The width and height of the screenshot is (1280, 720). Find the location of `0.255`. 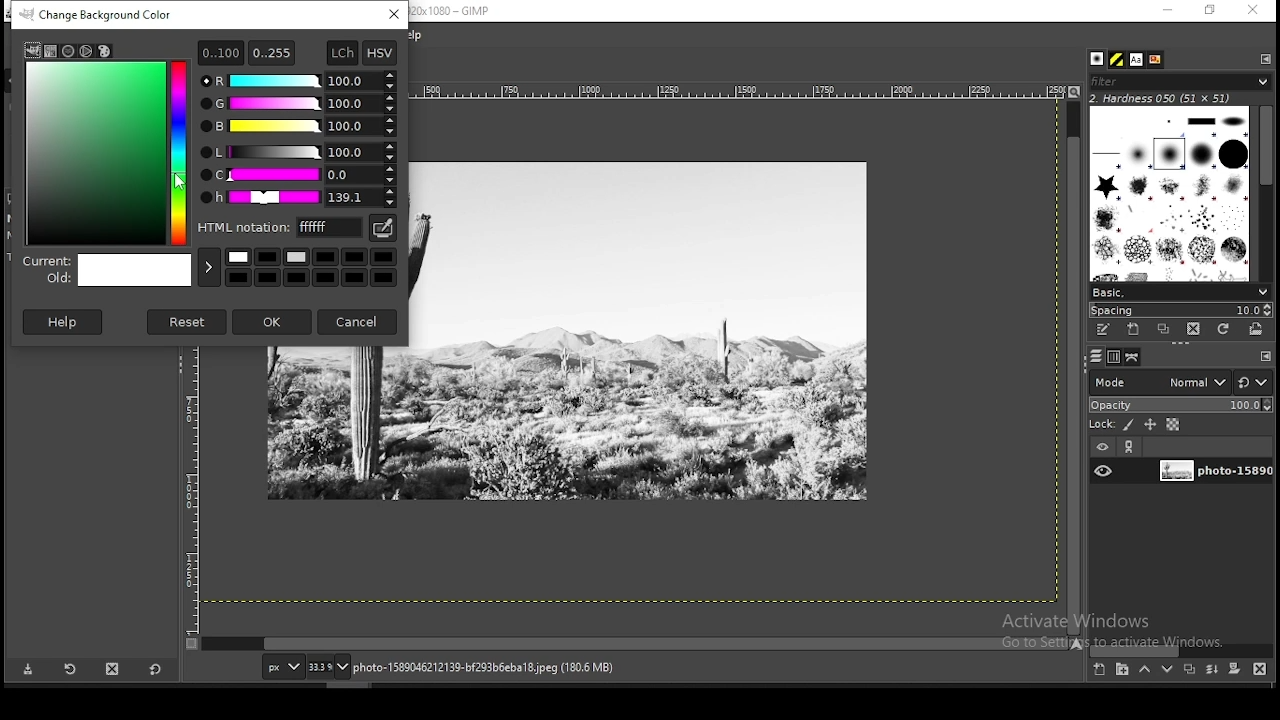

0.255 is located at coordinates (272, 50).